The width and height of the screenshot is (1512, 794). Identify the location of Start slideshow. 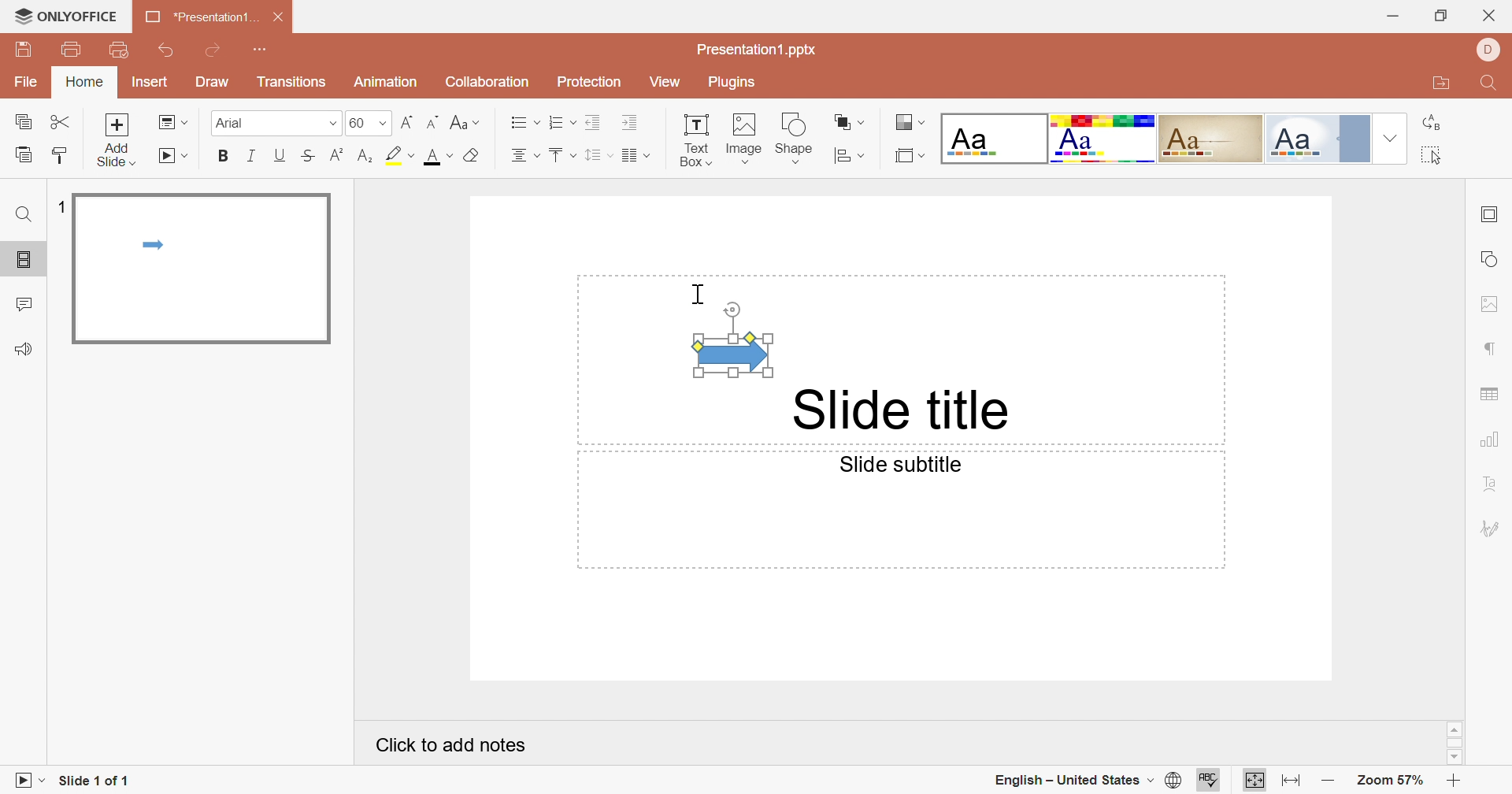
(23, 781).